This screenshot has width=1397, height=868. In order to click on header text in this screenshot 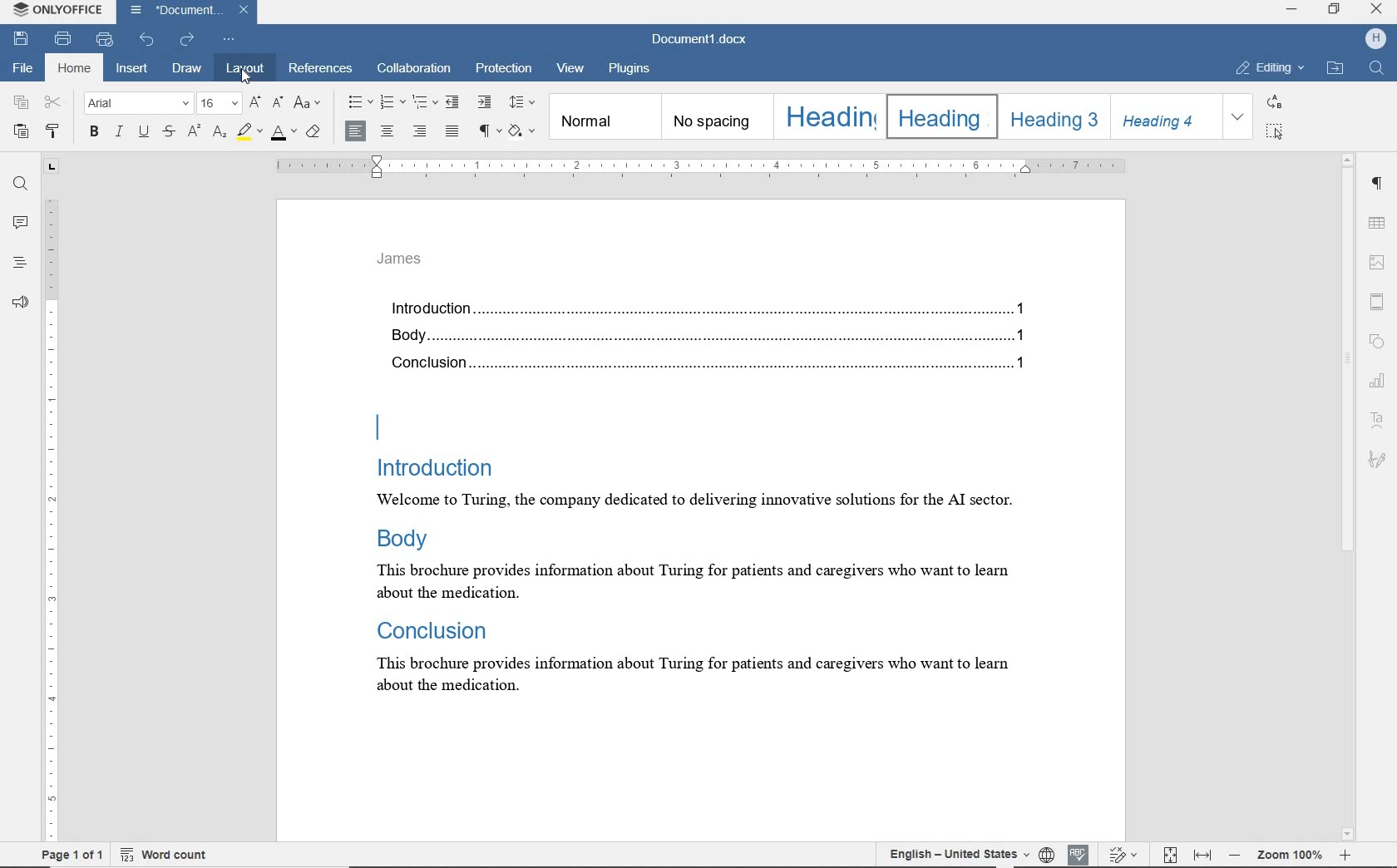, I will do `click(407, 264)`.